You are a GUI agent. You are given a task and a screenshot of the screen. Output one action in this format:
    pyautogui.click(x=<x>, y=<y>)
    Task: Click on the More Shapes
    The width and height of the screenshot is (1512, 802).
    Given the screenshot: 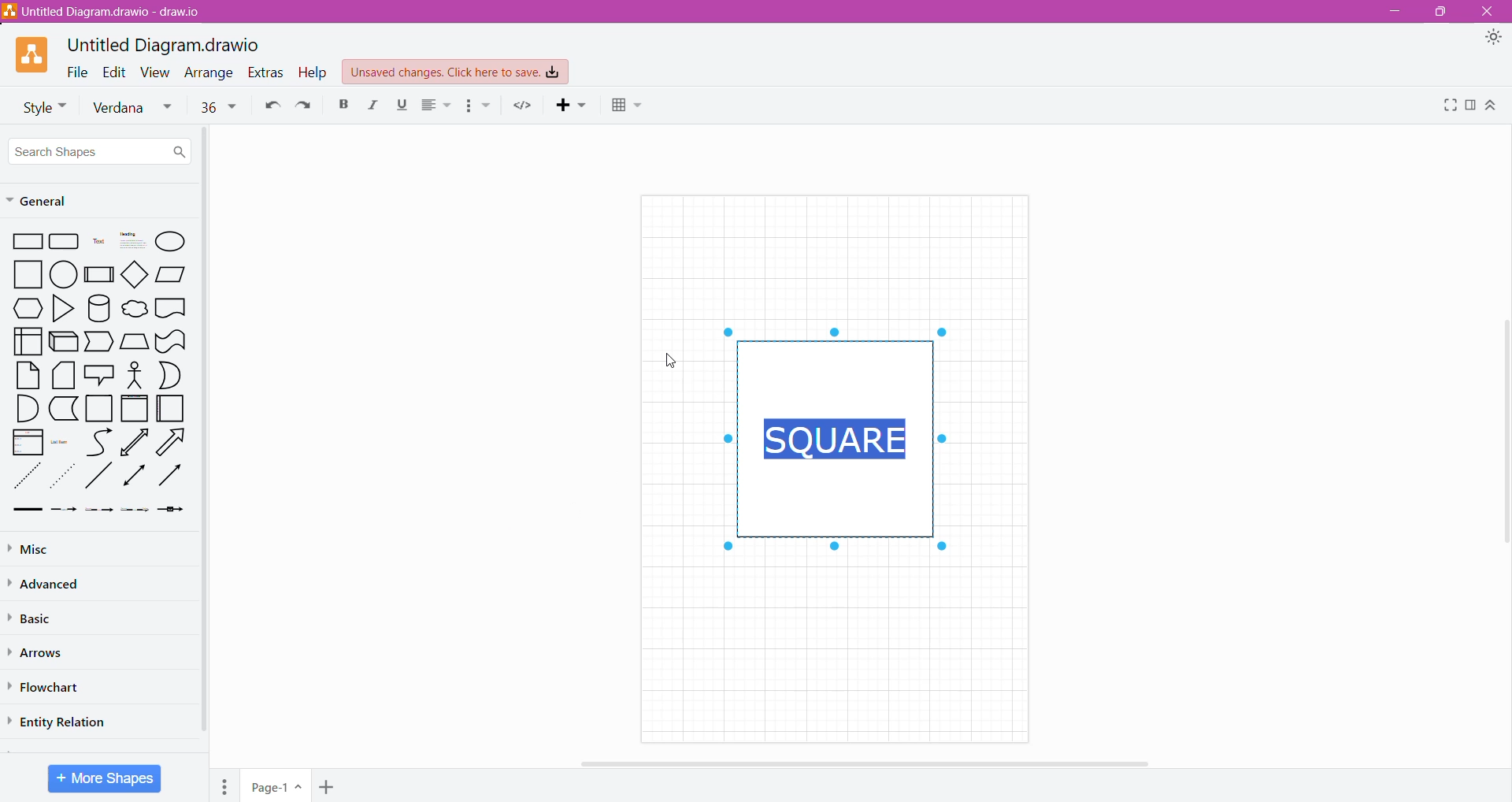 What is the action you would take?
    pyautogui.click(x=104, y=778)
    